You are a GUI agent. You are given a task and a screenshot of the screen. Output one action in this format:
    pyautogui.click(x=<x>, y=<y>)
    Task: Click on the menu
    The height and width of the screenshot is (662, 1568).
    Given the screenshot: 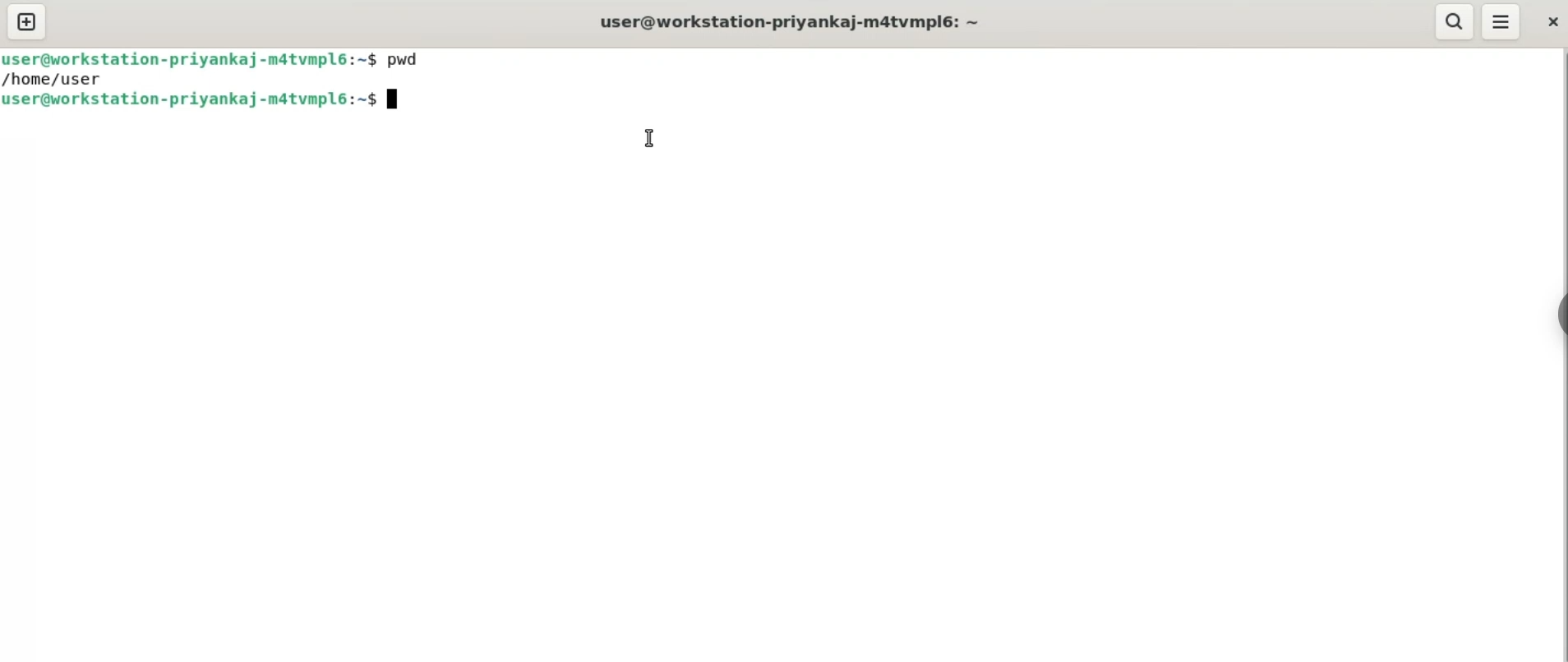 What is the action you would take?
    pyautogui.click(x=1502, y=23)
    